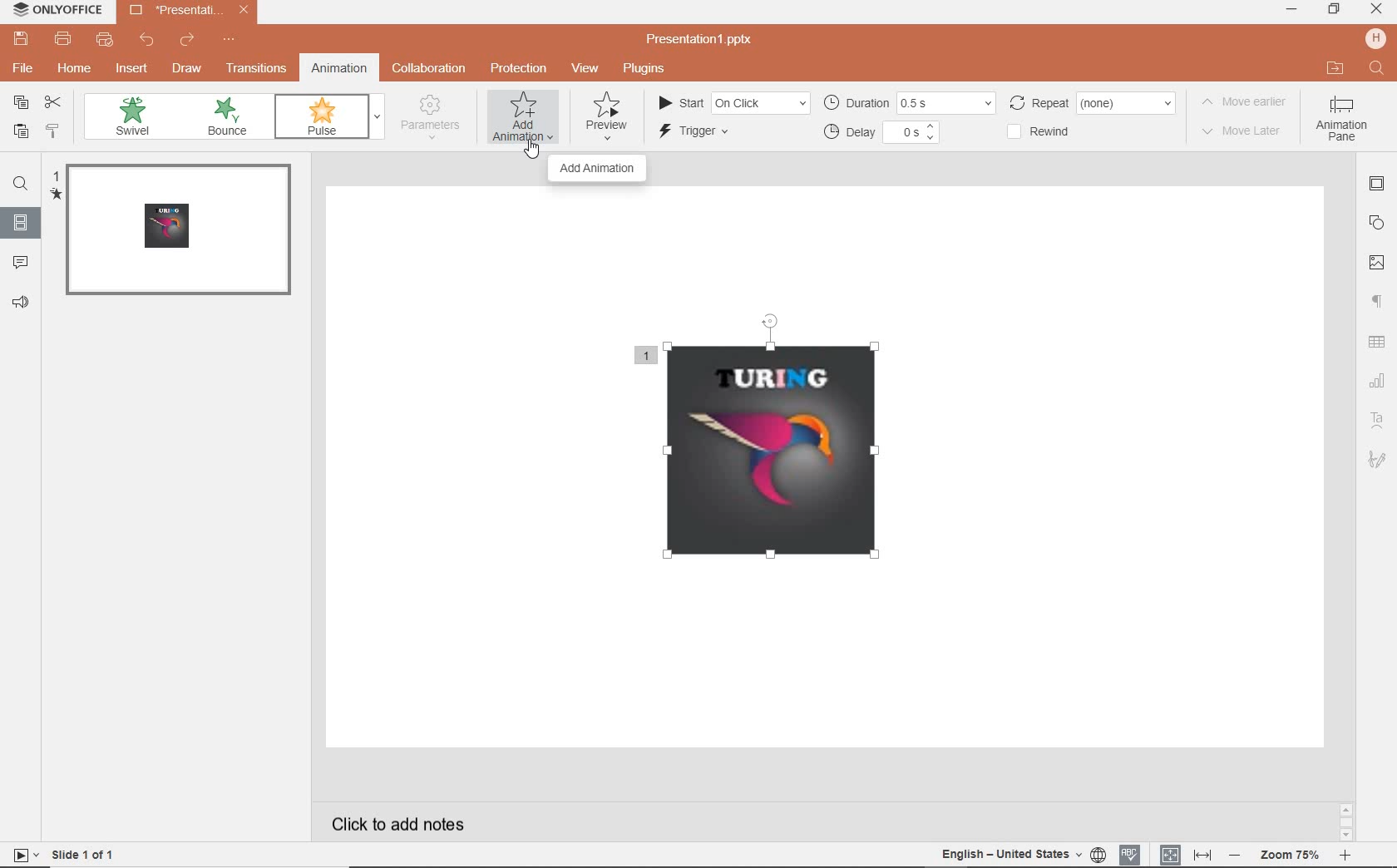 The height and width of the screenshot is (868, 1397). Describe the element at coordinates (600, 170) in the screenshot. I see `add animation` at that location.